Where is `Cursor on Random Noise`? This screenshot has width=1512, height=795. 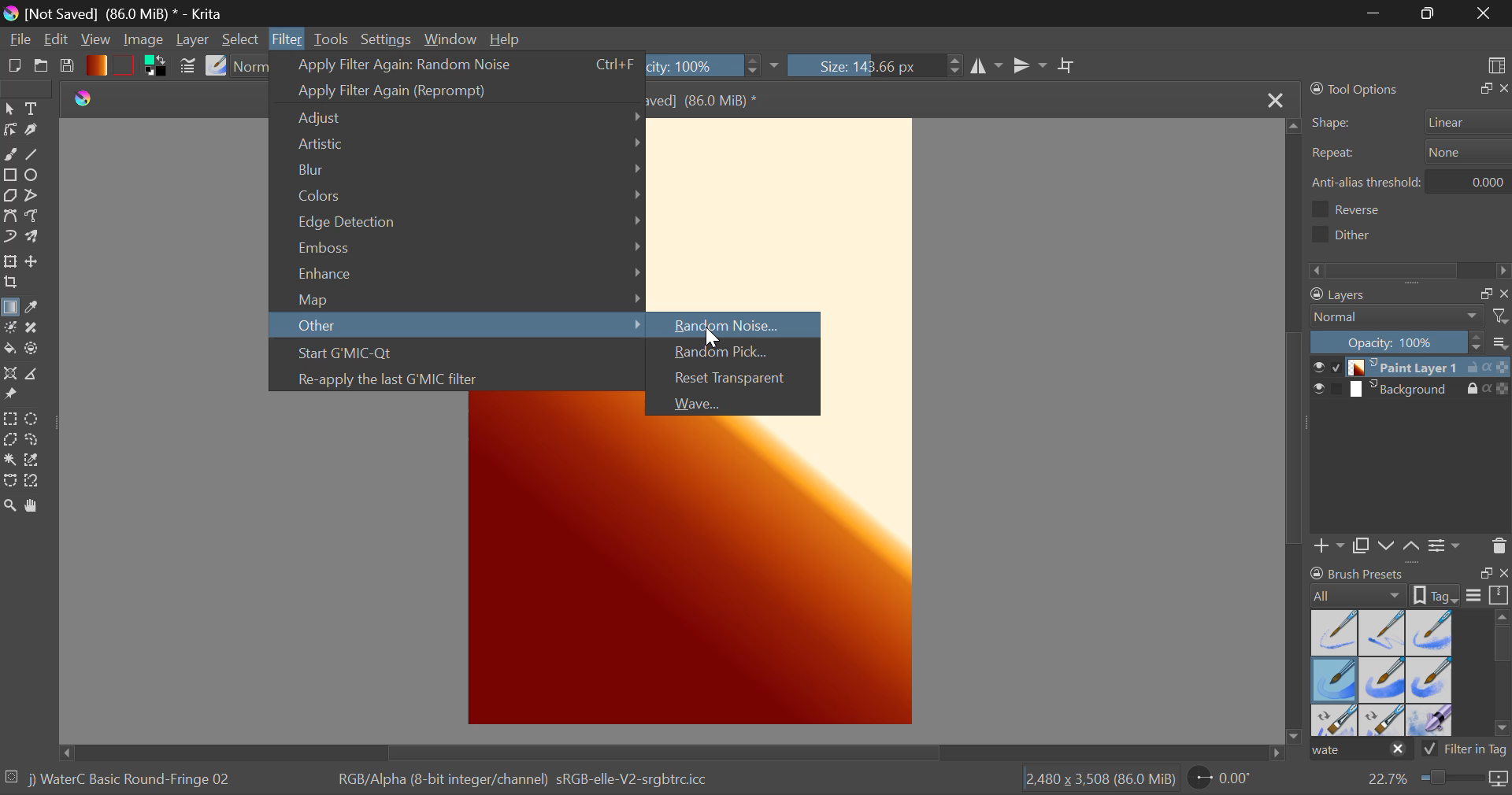
Cursor on Random Noise is located at coordinates (732, 324).